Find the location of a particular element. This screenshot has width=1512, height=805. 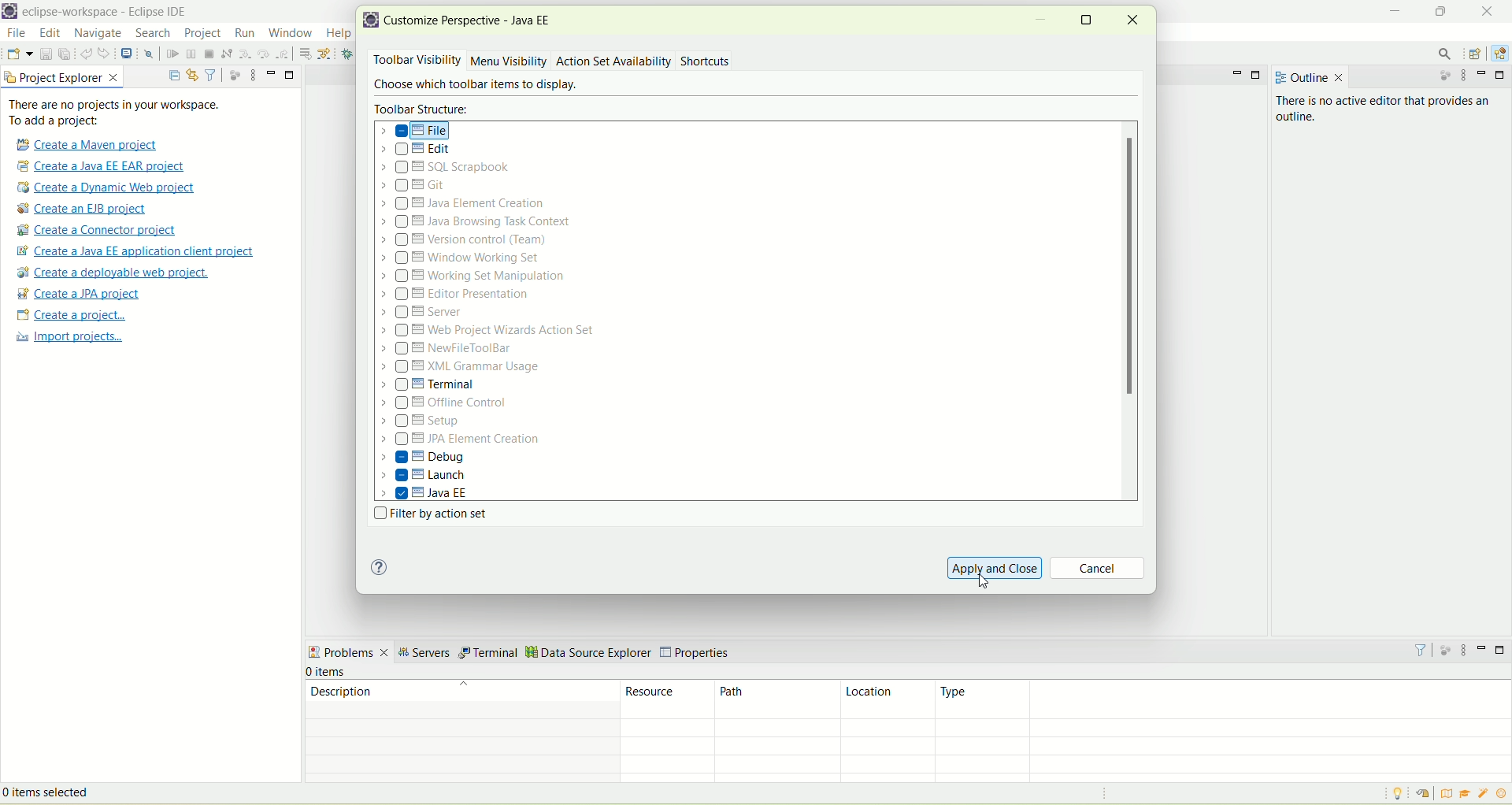

Java EE is located at coordinates (1499, 54).